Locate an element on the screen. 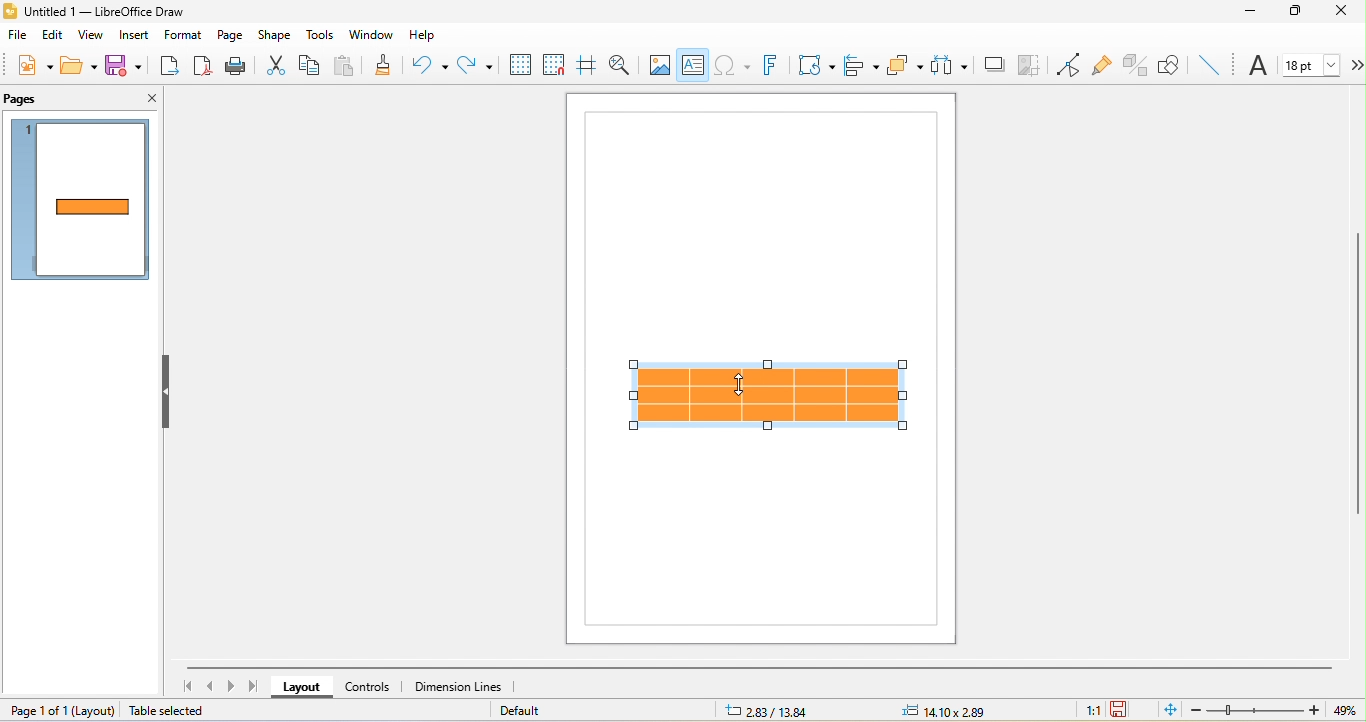 The width and height of the screenshot is (1366, 722). open is located at coordinates (82, 66).